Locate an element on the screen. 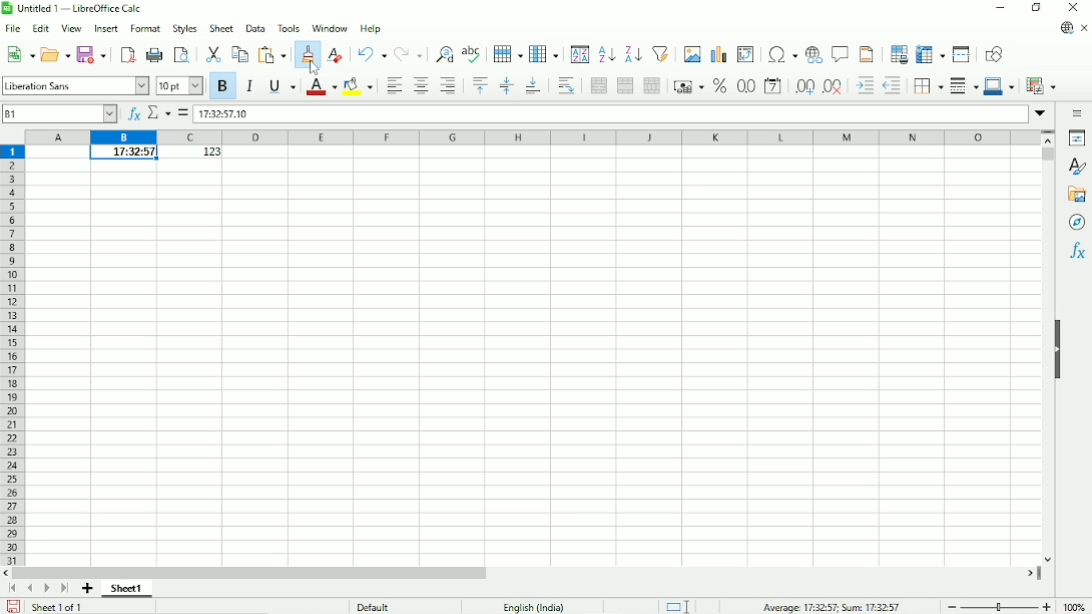  Format as currency is located at coordinates (689, 87).